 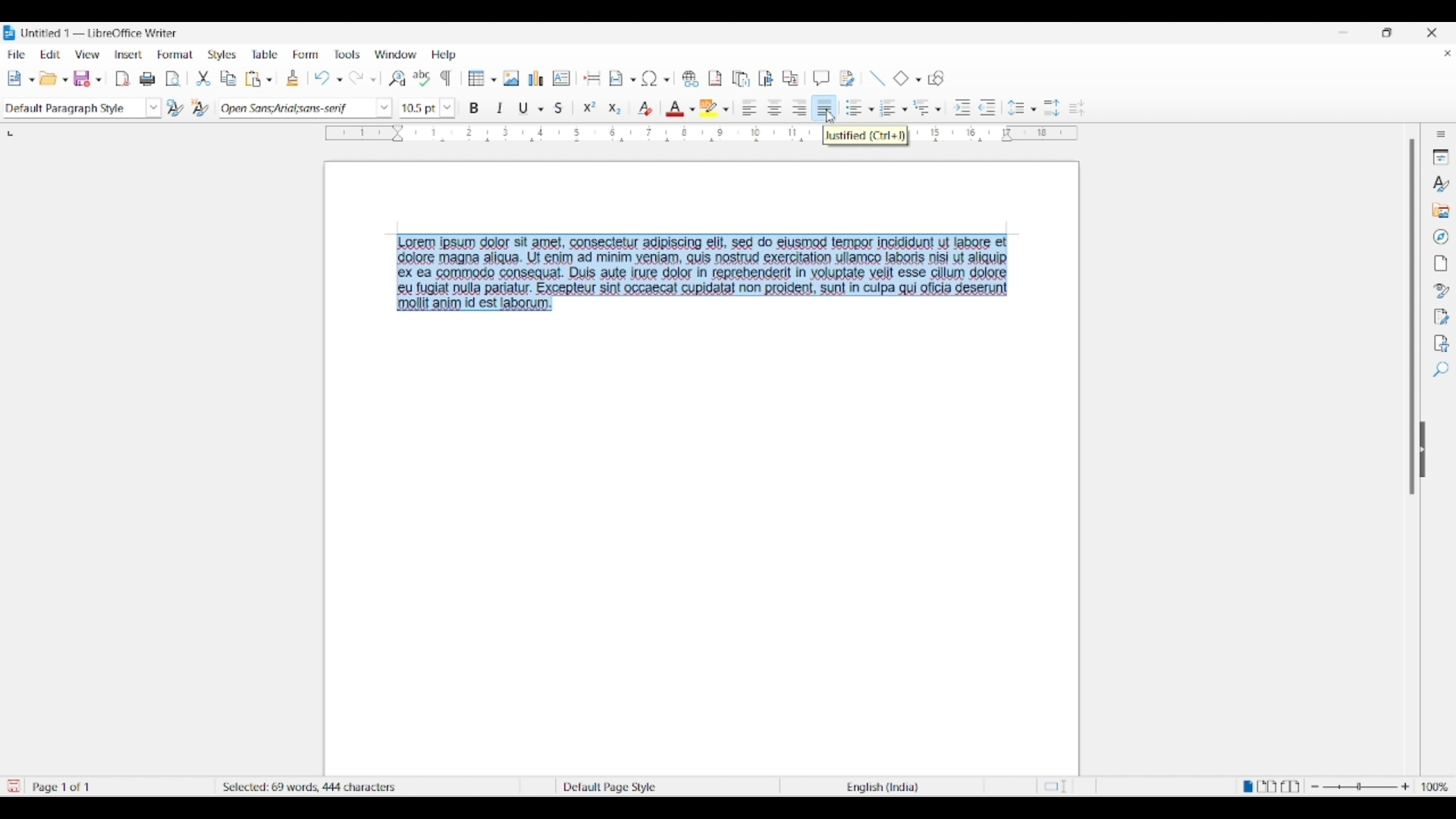 I want to click on Selected color for font, so click(x=675, y=108).